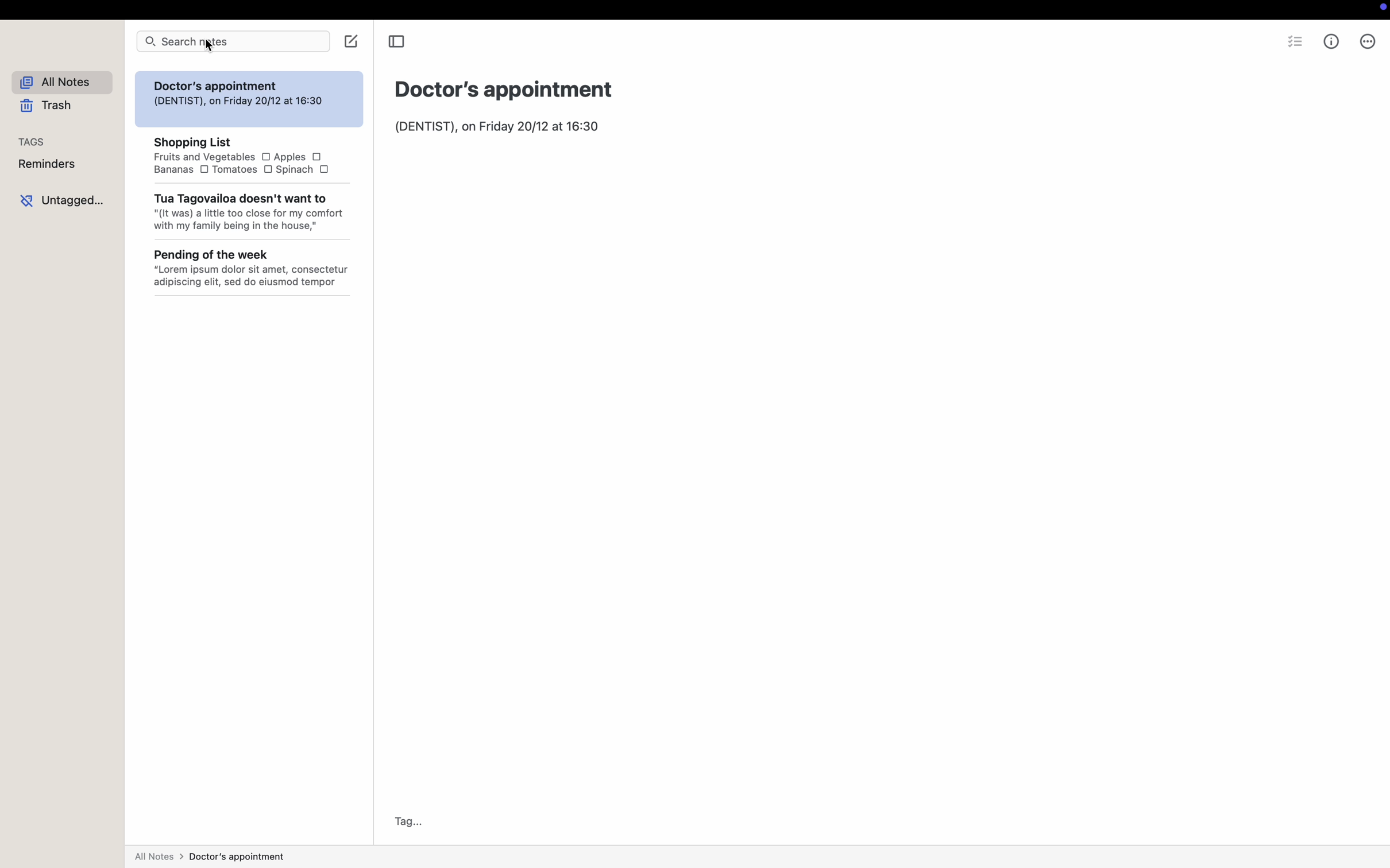  What do you see at coordinates (232, 41) in the screenshot?
I see `search notes` at bounding box center [232, 41].